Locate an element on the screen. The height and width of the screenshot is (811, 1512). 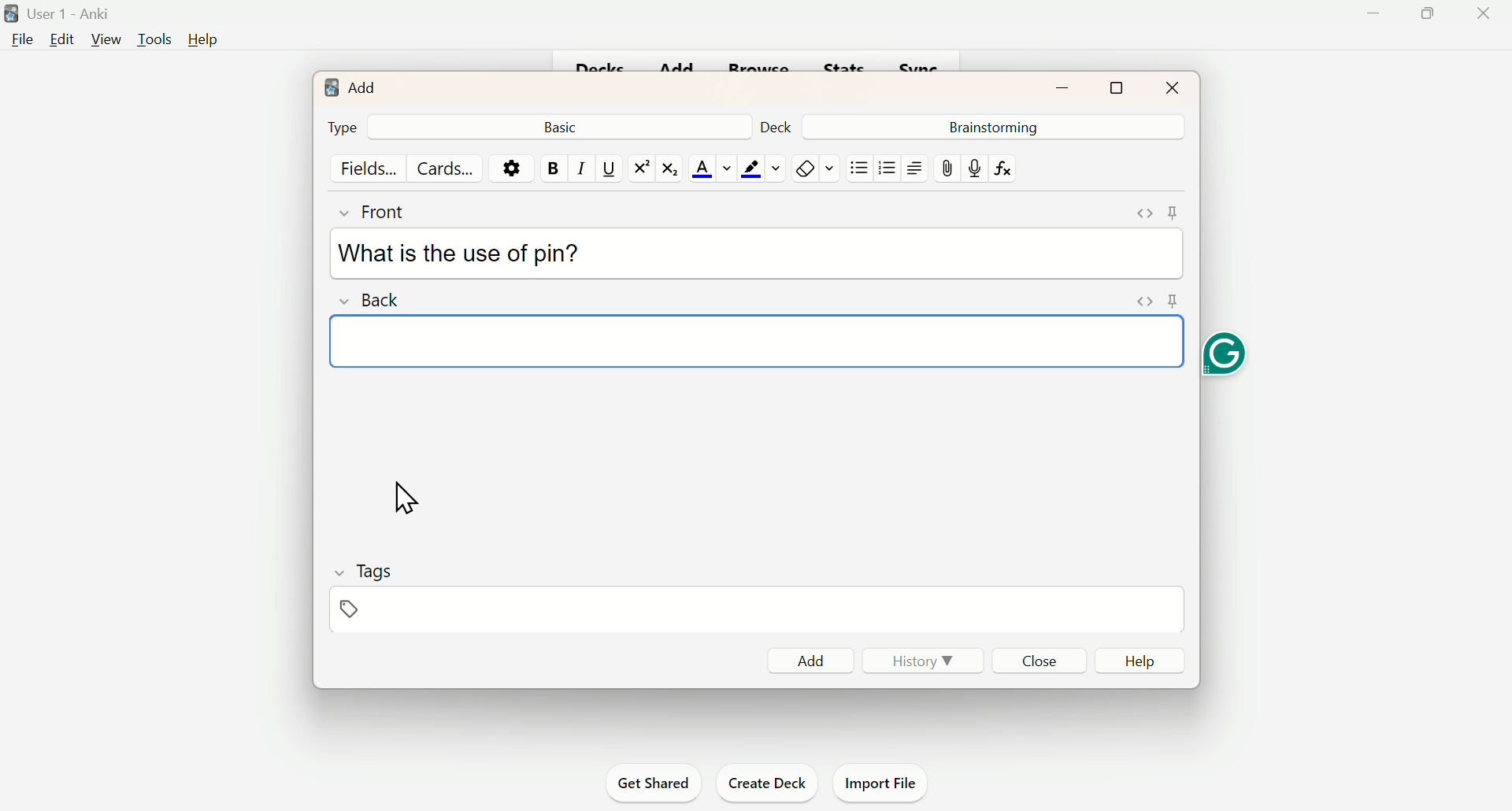
cursor is located at coordinates (402, 498).